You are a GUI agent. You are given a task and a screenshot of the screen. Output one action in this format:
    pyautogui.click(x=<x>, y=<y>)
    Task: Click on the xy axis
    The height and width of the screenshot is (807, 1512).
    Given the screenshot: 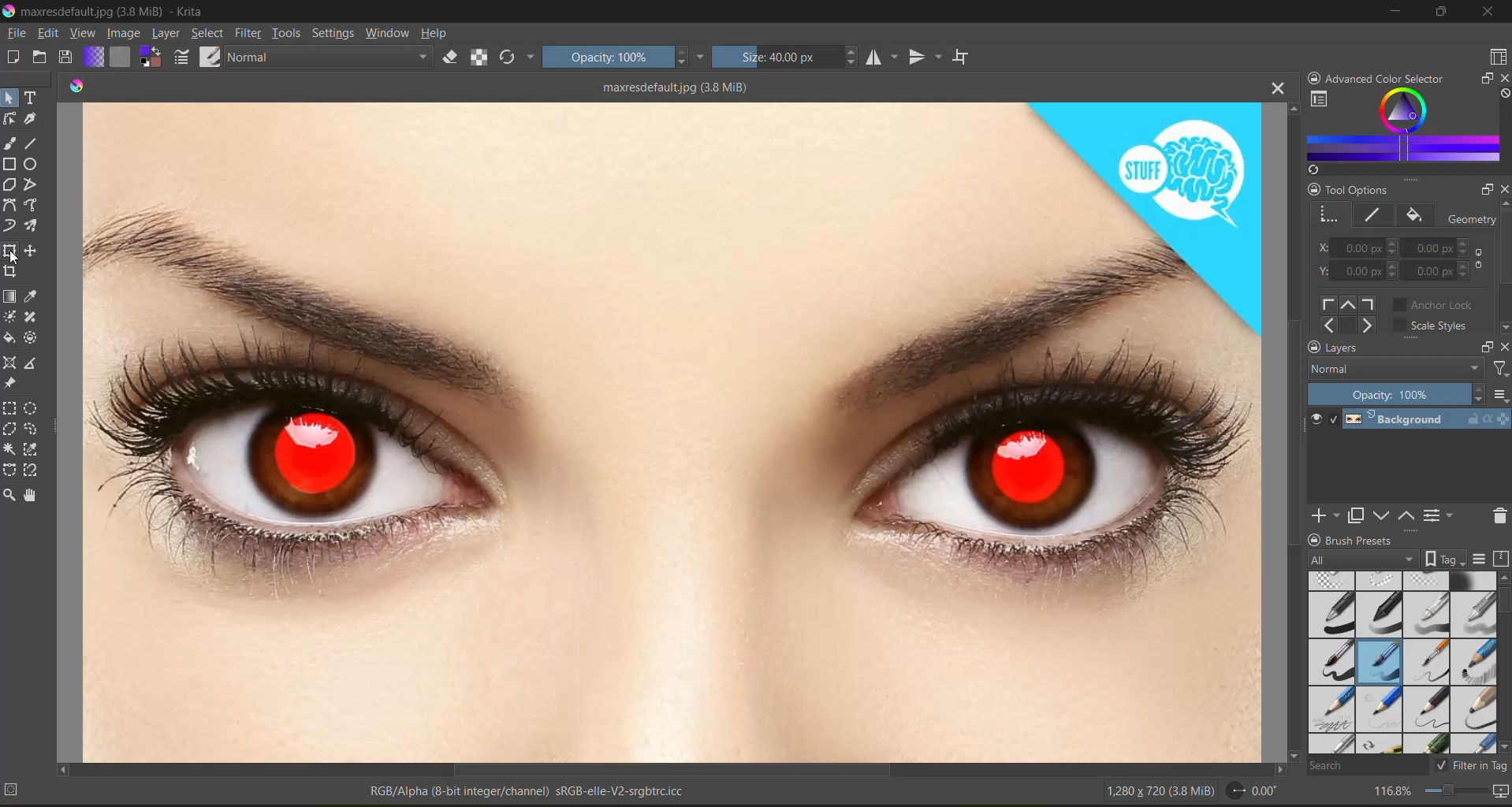 What is the action you would take?
    pyautogui.click(x=1358, y=271)
    